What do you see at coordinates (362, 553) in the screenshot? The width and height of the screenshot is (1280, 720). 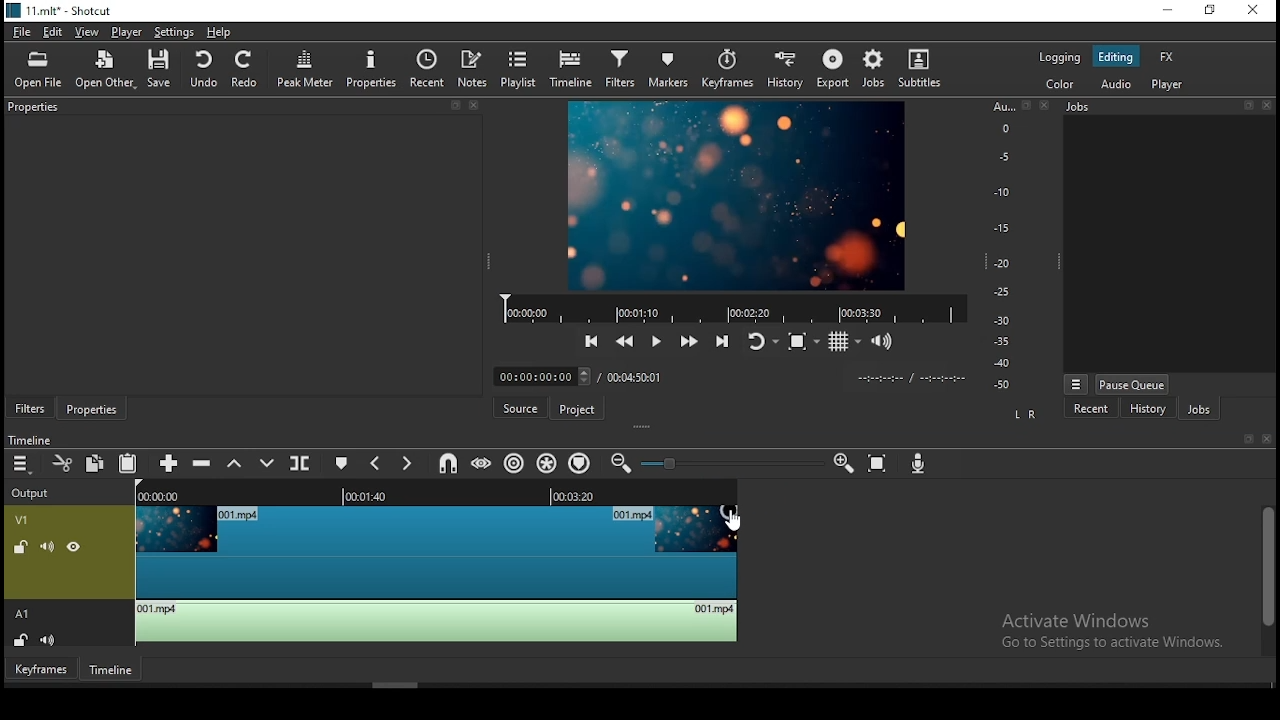 I see `video track` at bounding box center [362, 553].